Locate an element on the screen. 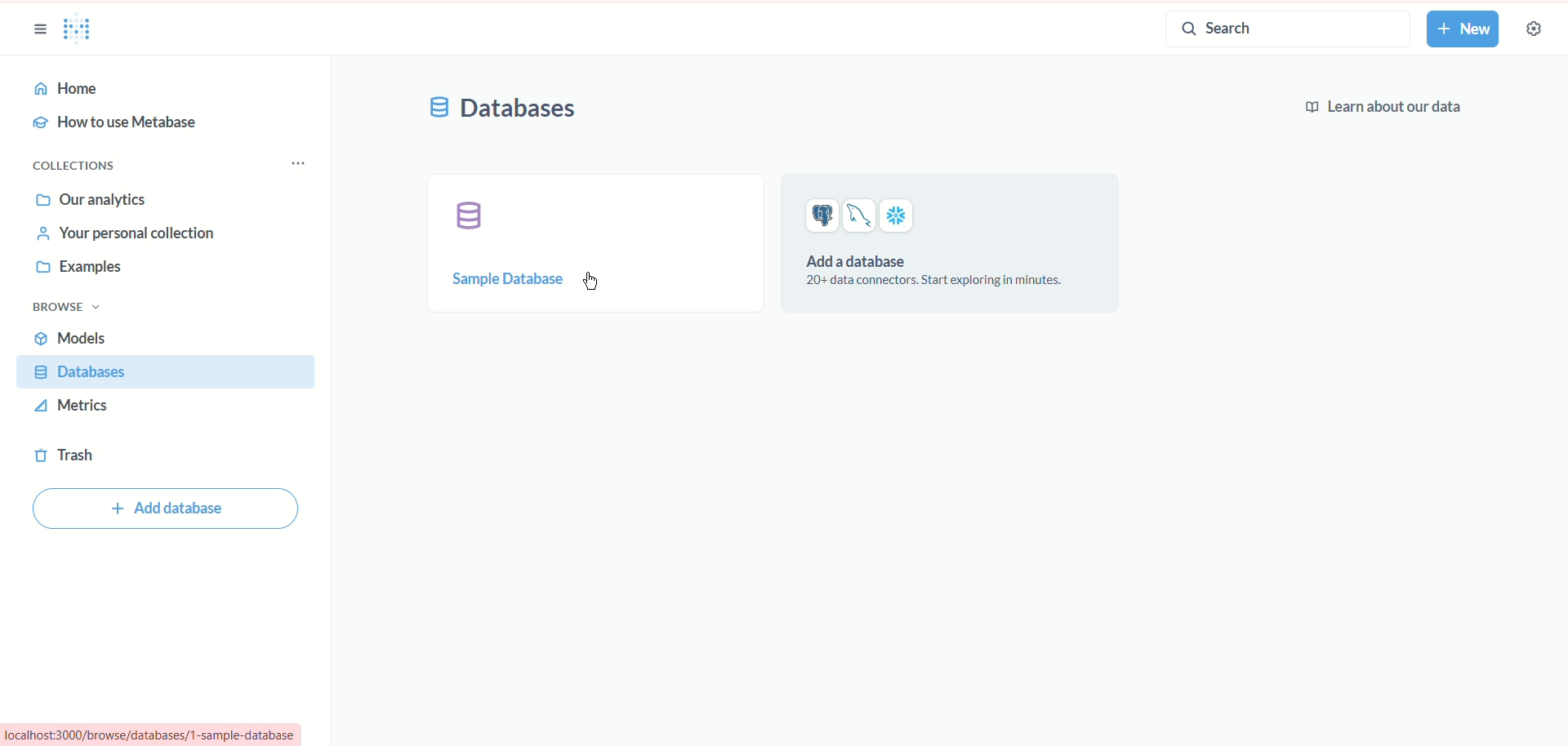  collections is located at coordinates (77, 167).